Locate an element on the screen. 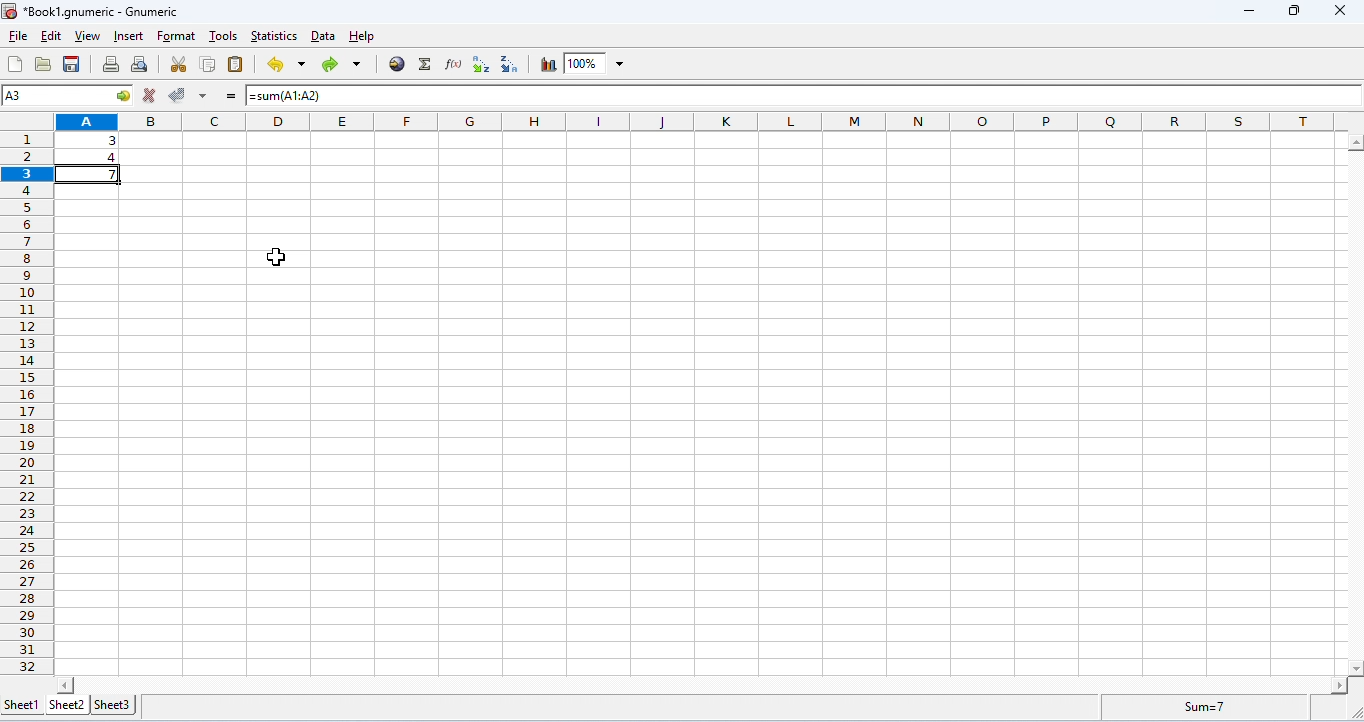 The height and width of the screenshot is (722, 1364). accept multiple is located at coordinates (204, 97).